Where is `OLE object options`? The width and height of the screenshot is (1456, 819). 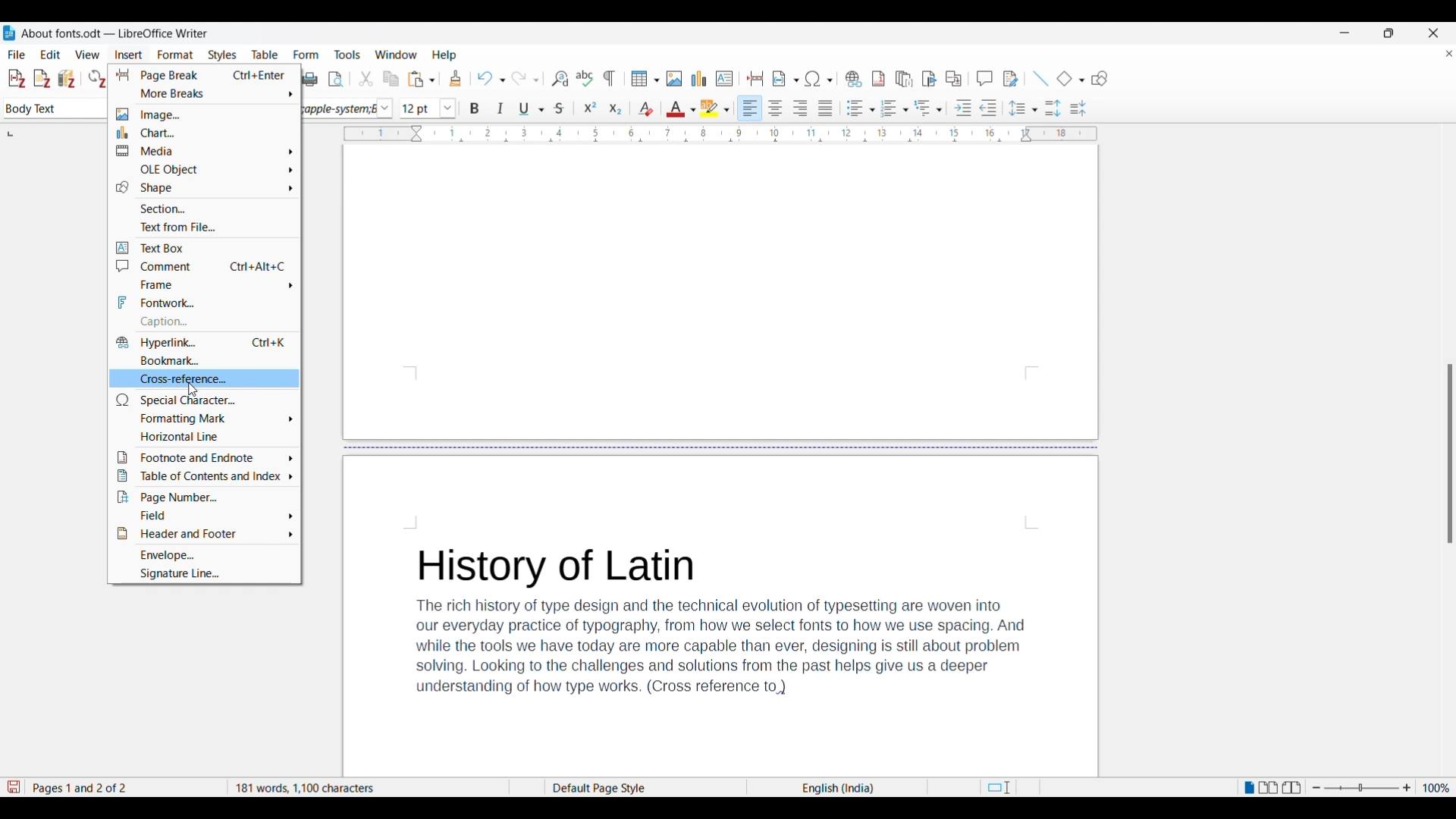 OLE object options is located at coordinates (205, 169).